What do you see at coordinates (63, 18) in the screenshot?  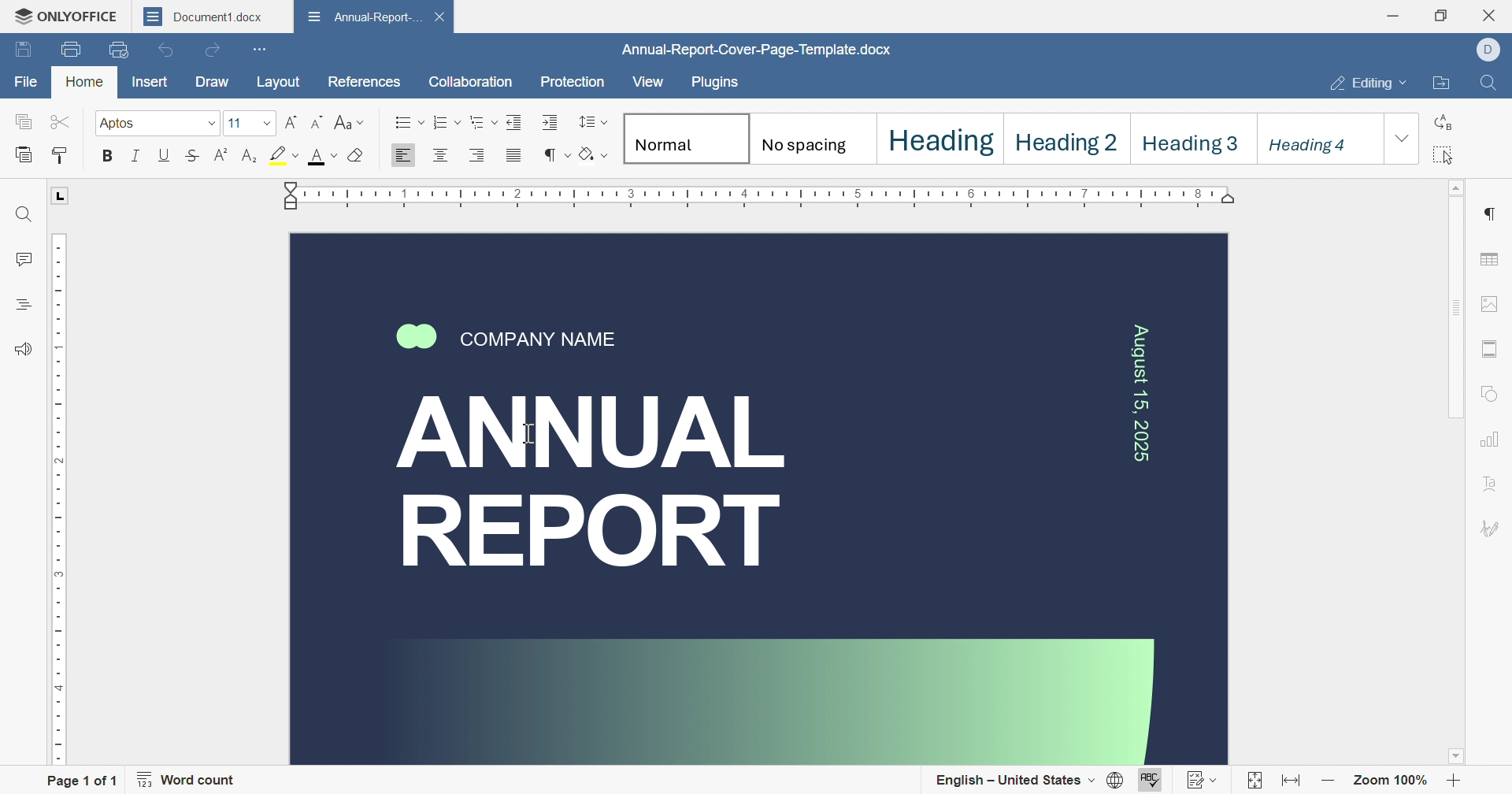 I see `ONLYOFFICE` at bounding box center [63, 18].